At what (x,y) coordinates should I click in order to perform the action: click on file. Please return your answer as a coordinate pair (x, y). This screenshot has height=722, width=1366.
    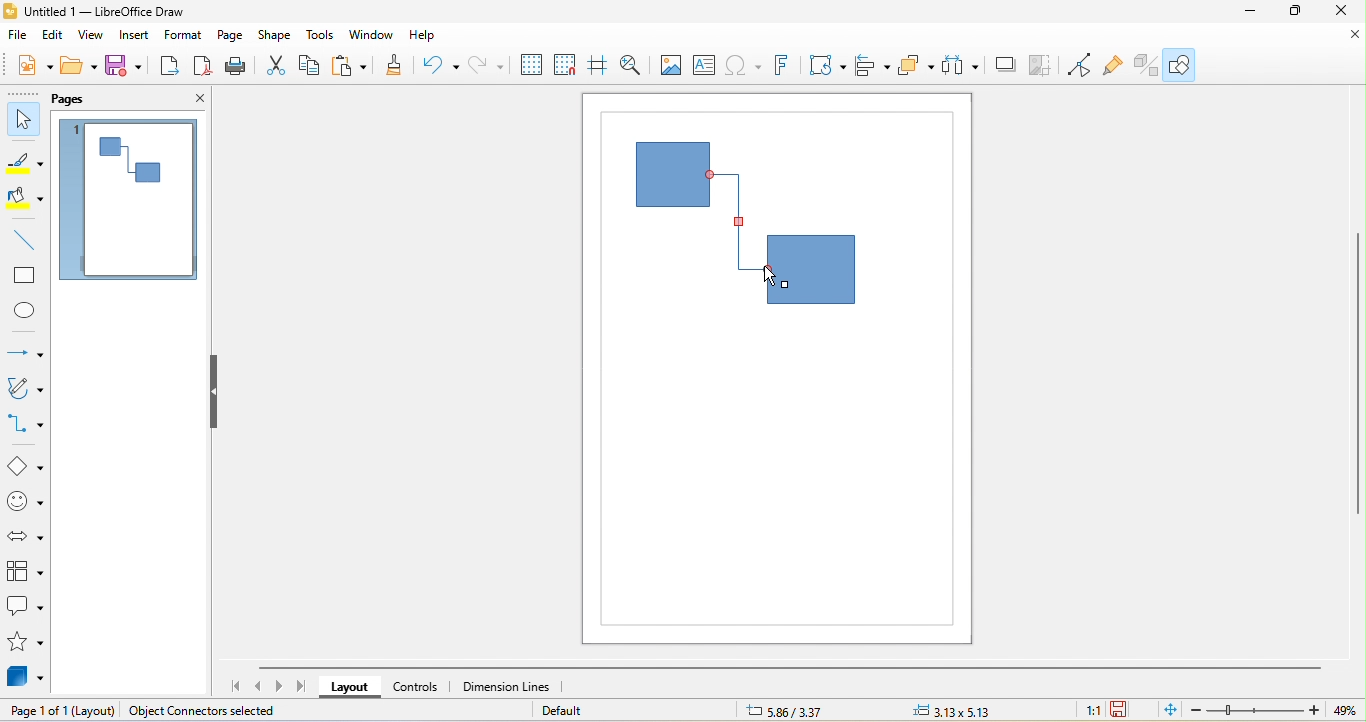
    Looking at the image, I should click on (19, 35).